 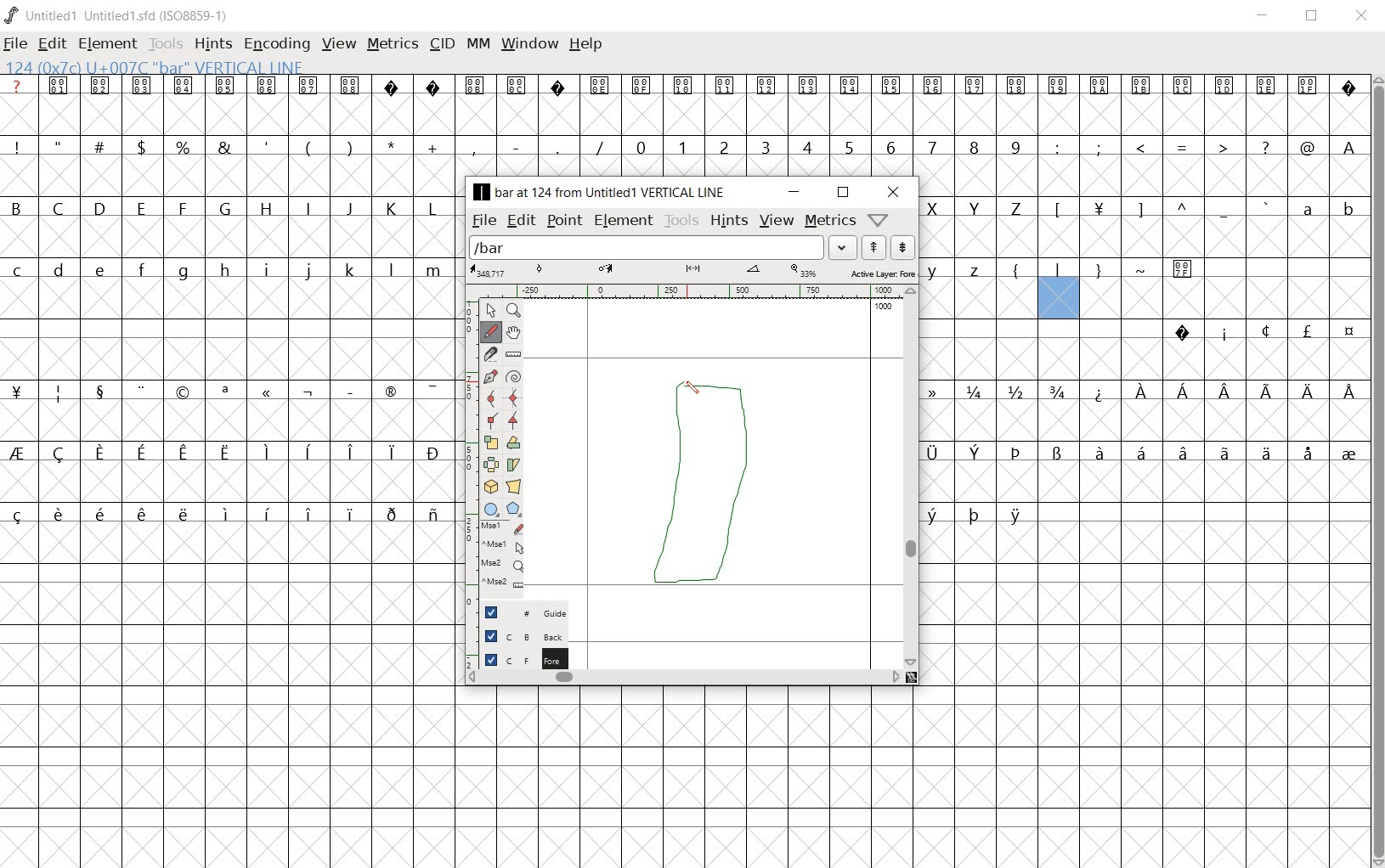 What do you see at coordinates (229, 452) in the screenshot?
I see `special letters` at bounding box center [229, 452].